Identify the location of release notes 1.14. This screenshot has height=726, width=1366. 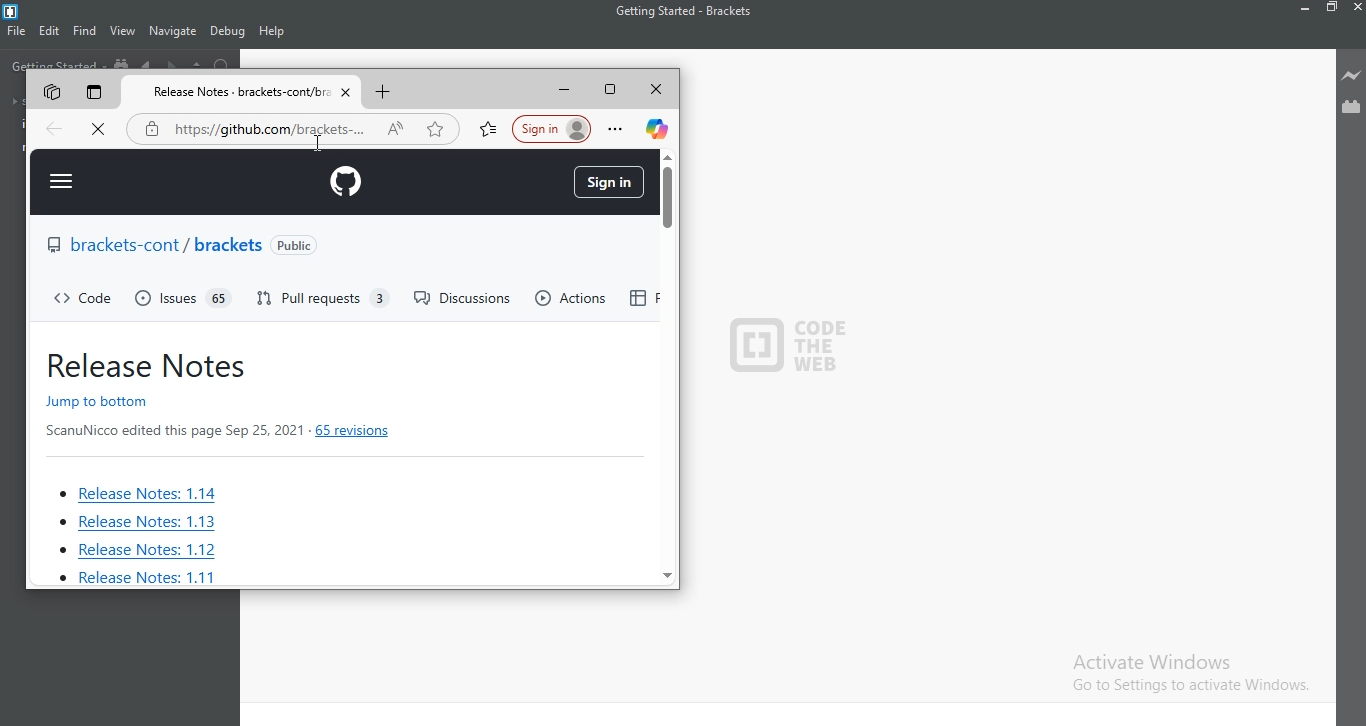
(155, 494).